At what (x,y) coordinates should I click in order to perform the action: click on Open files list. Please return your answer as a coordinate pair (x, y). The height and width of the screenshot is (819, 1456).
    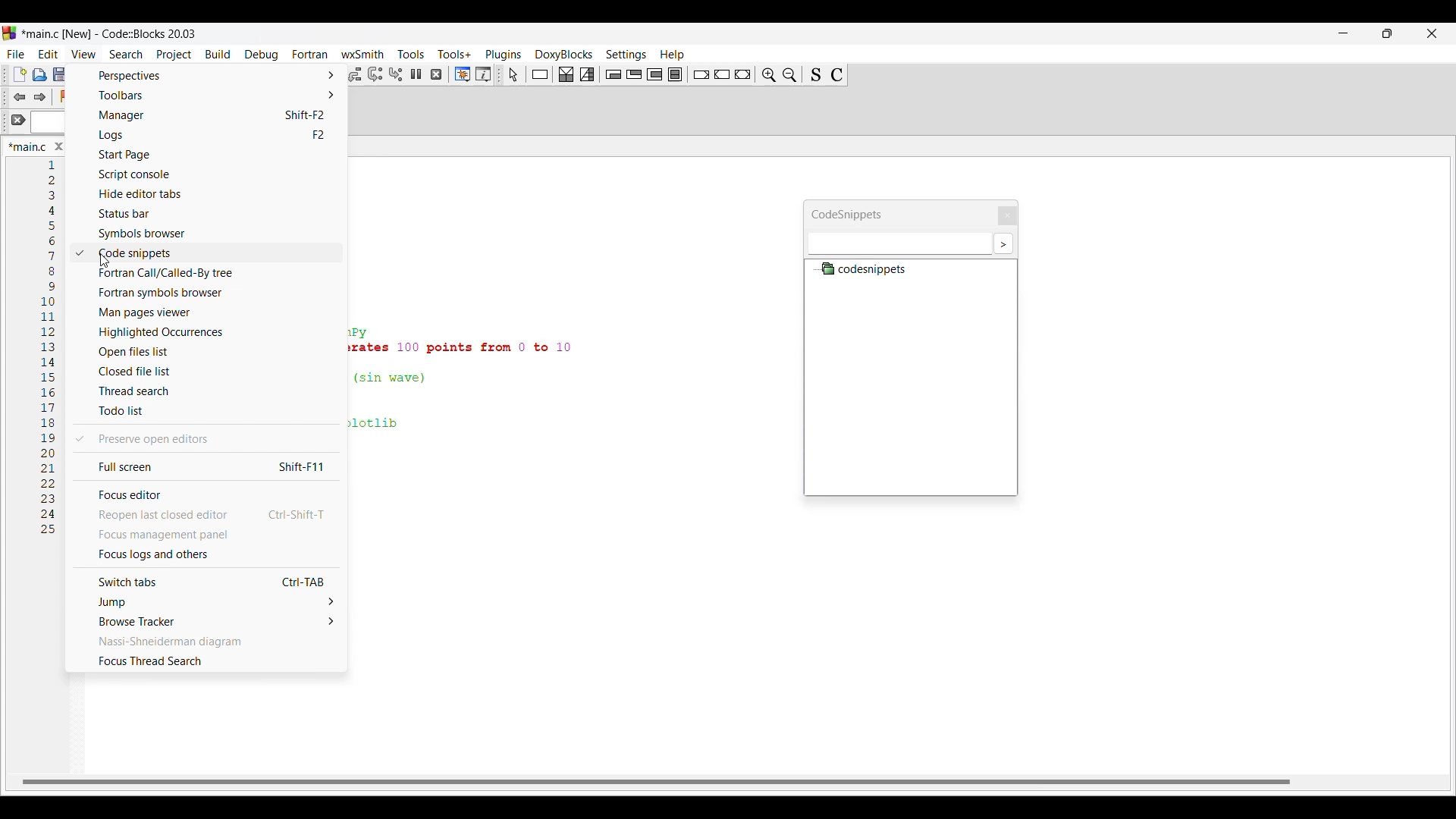
    Looking at the image, I should click on (213, 352).